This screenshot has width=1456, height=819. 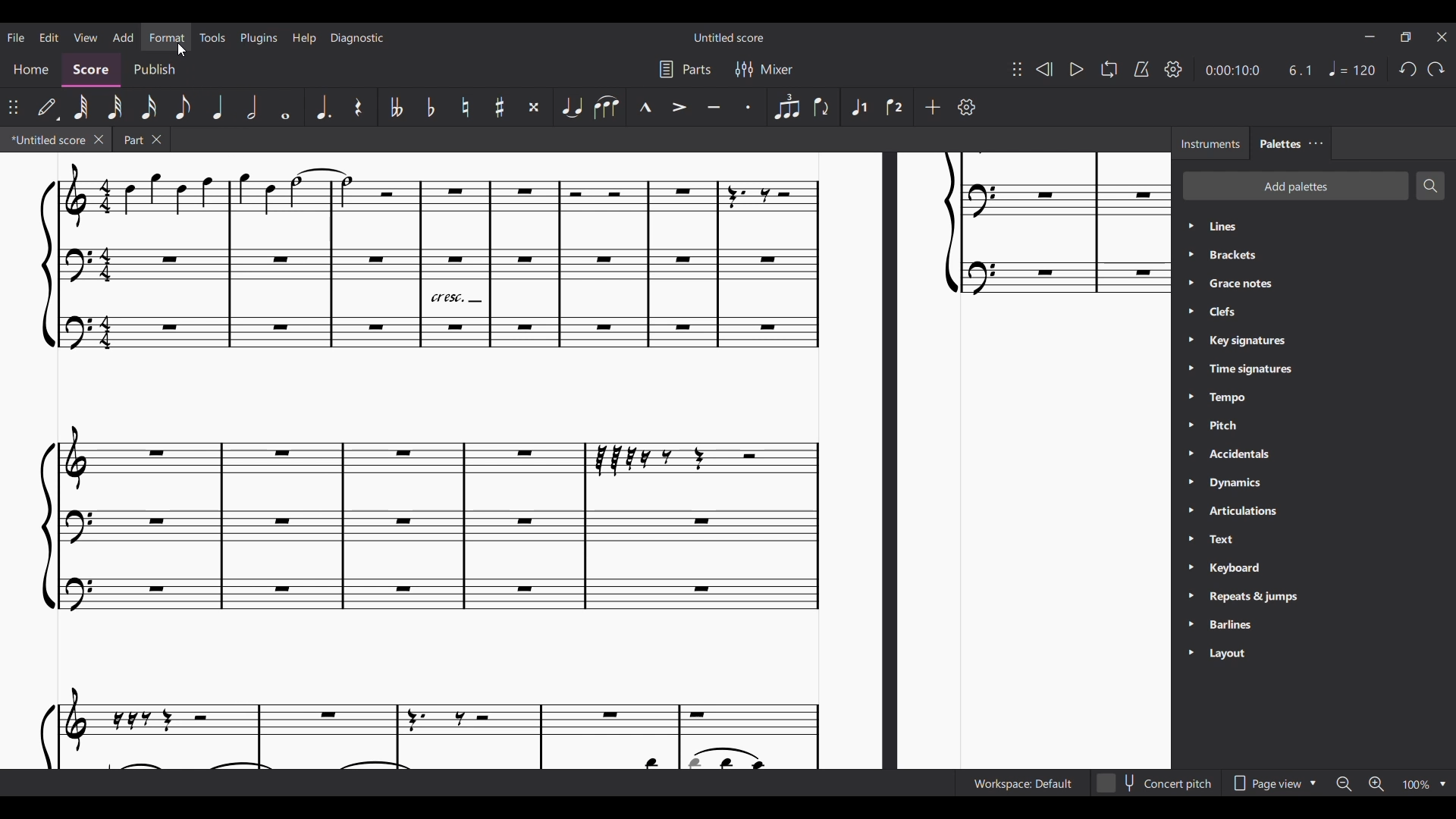 What do you see at coordinates (1375, 783) in the screenshot?
I see `Zoom in` at bounding box center [1375, 783].